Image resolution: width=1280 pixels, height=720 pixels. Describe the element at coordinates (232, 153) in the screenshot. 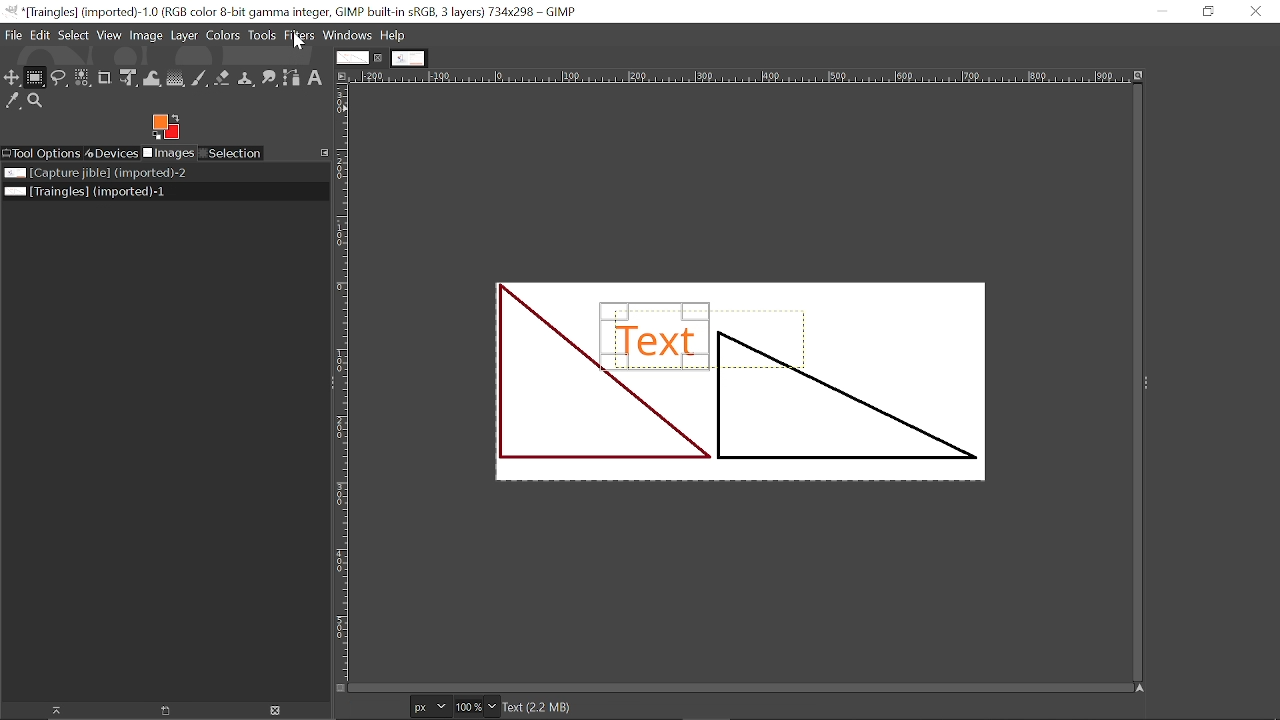

I see `Selection` at that location.